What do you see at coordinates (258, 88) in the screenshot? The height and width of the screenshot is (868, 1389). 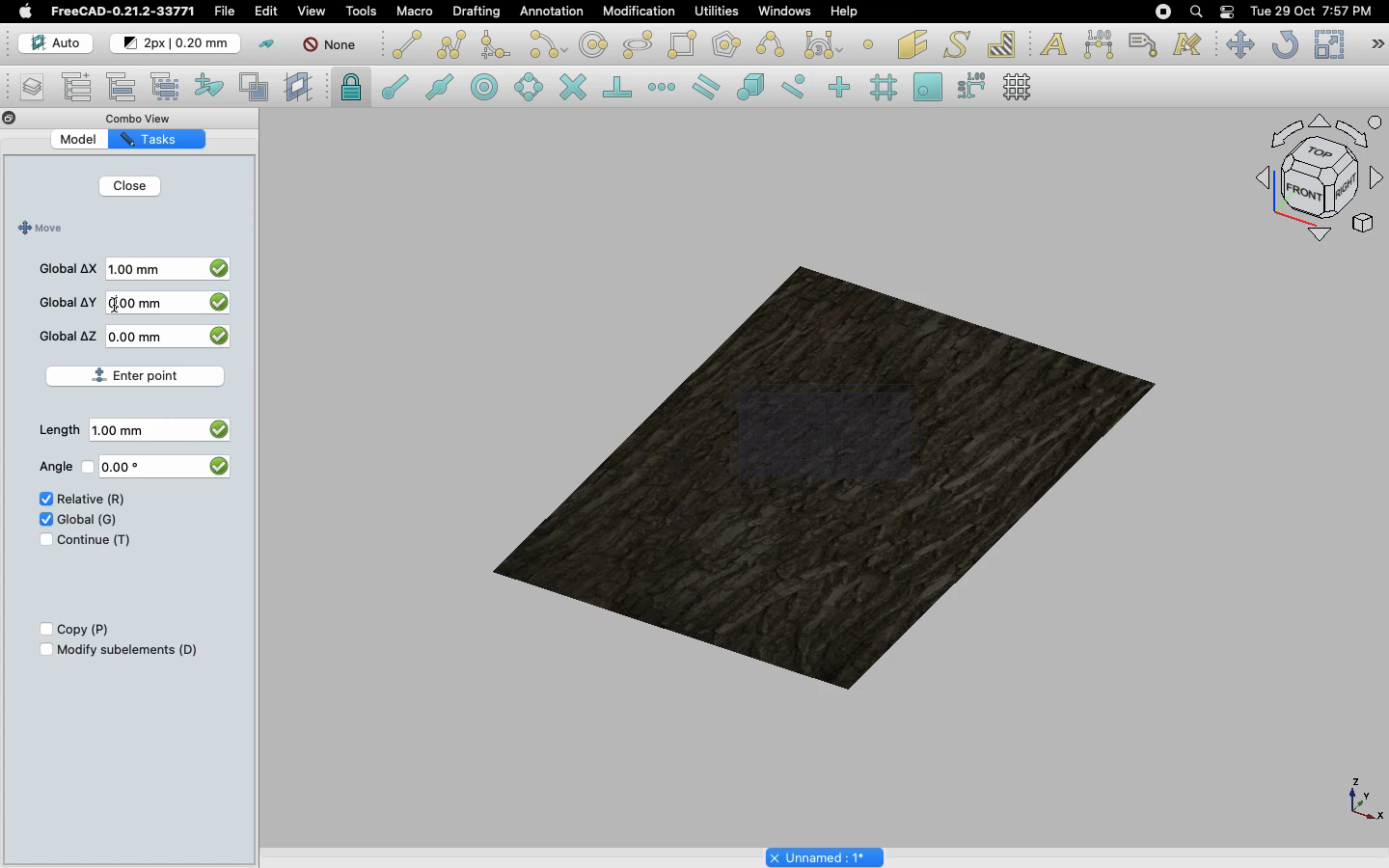 I see `Create working plane proxy` at bounding box center [258, 88].